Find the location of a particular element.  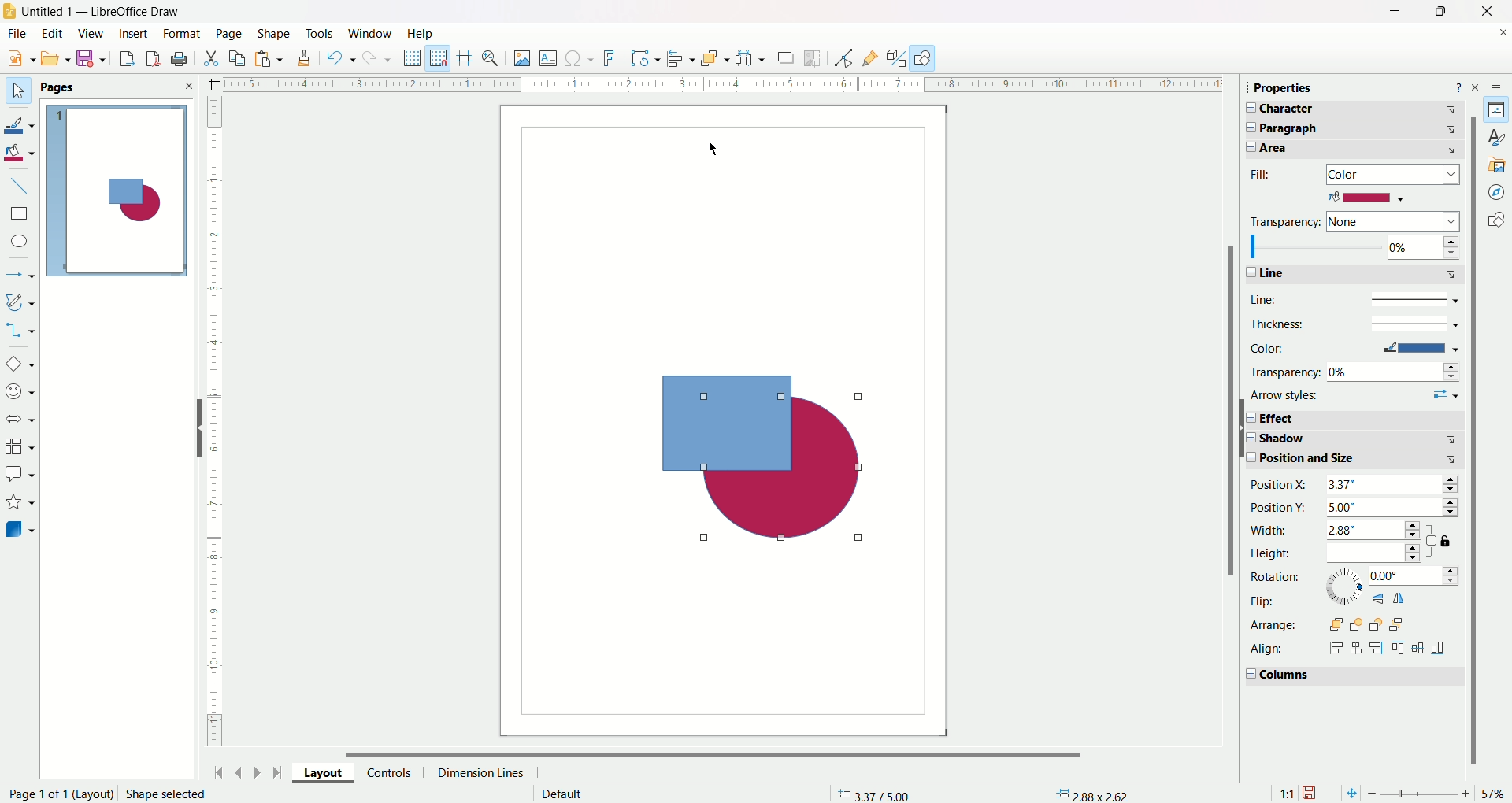

rectangle is located at coordinates (19, 213).